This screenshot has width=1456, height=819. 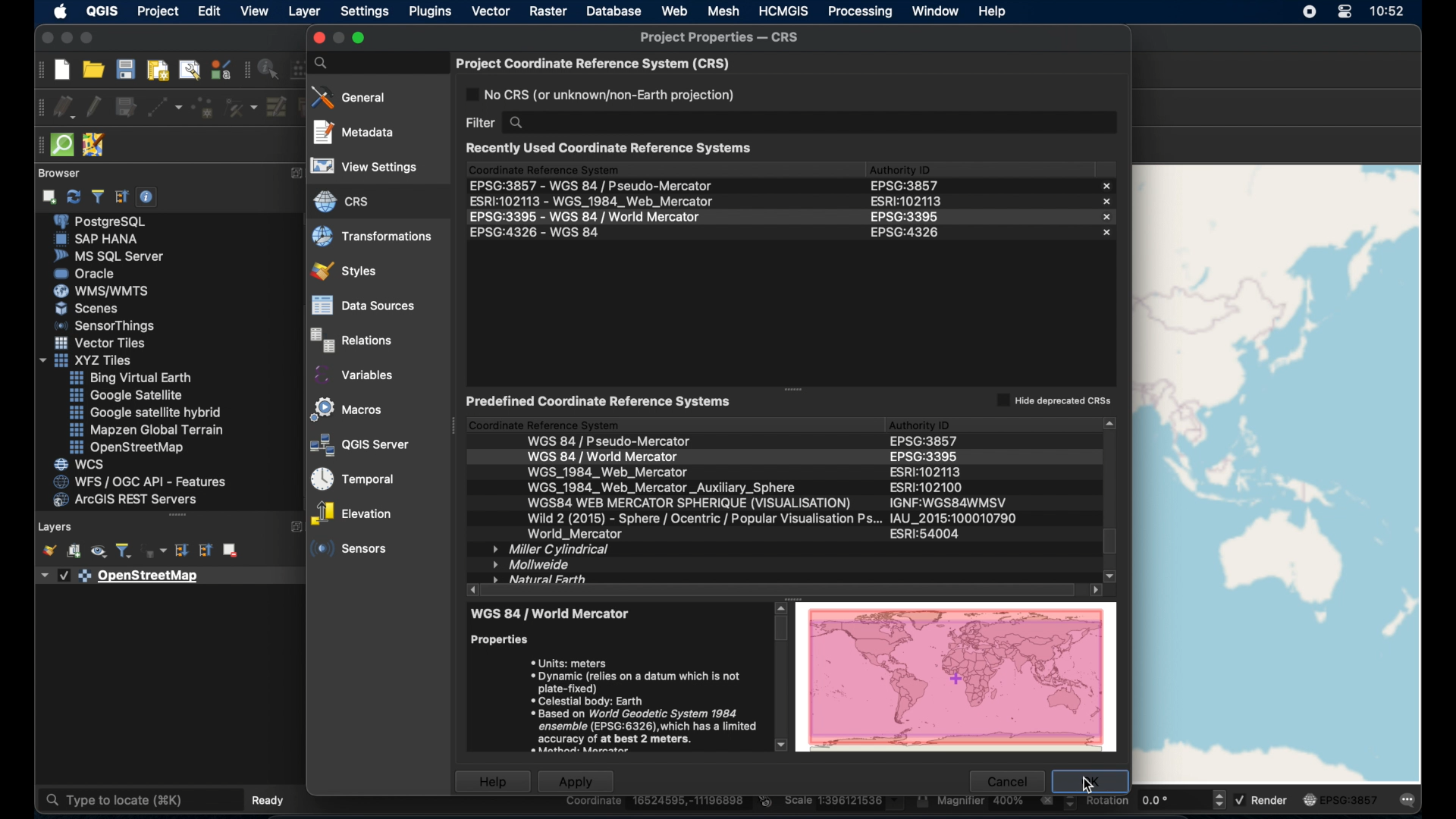 What do you see at coordinates (608, 94) in the screenshot?
I see `no crs or unknown earth projection` at bounding box center [608, 94].